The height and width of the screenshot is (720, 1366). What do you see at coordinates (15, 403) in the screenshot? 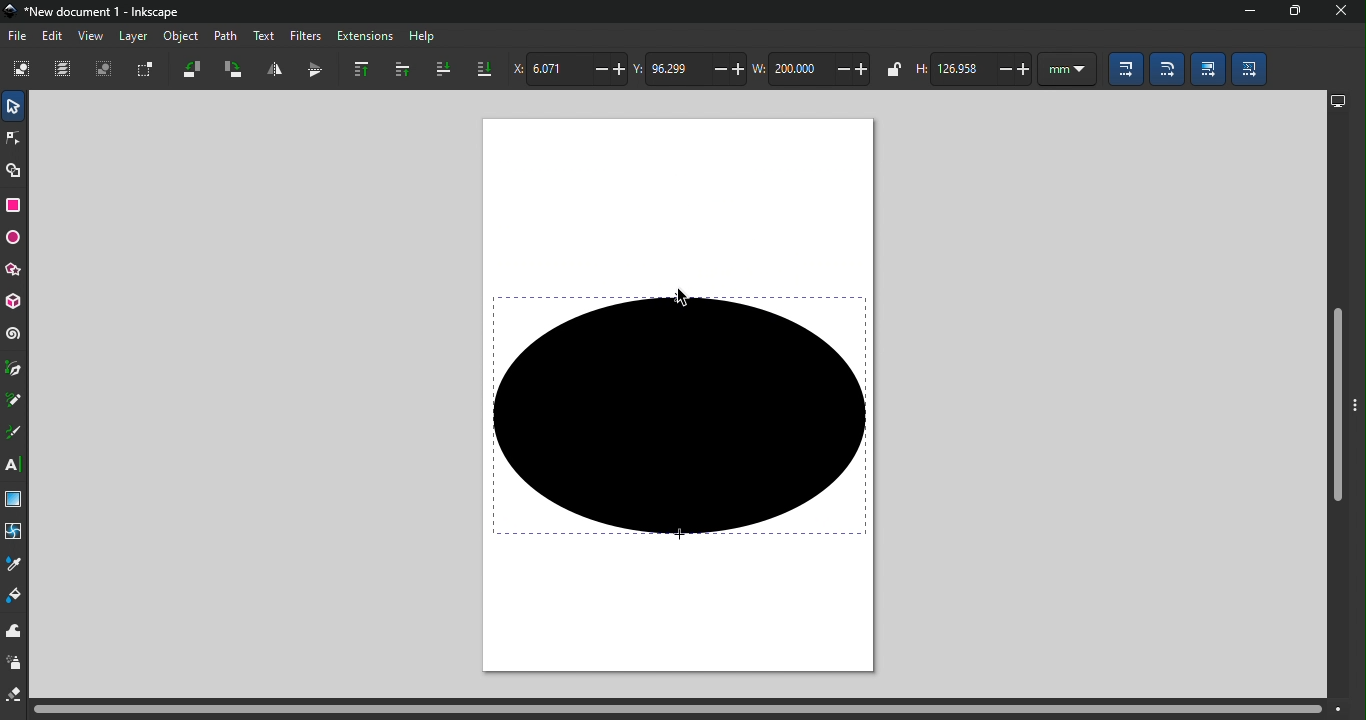
I see `Pencil tool` at bounding box center [15, 403].